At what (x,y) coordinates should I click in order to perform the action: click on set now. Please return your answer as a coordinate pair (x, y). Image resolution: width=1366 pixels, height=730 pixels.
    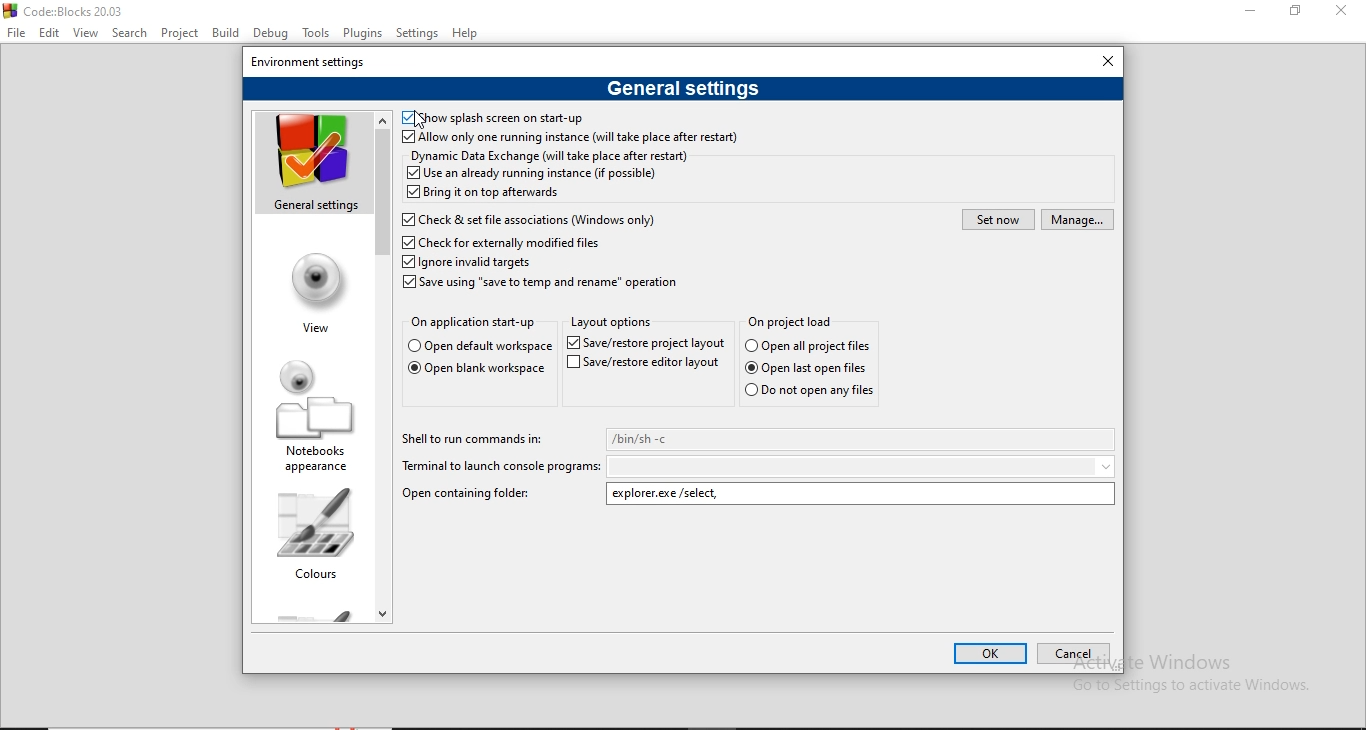
    Looking at the image, I should click on (998, 219).